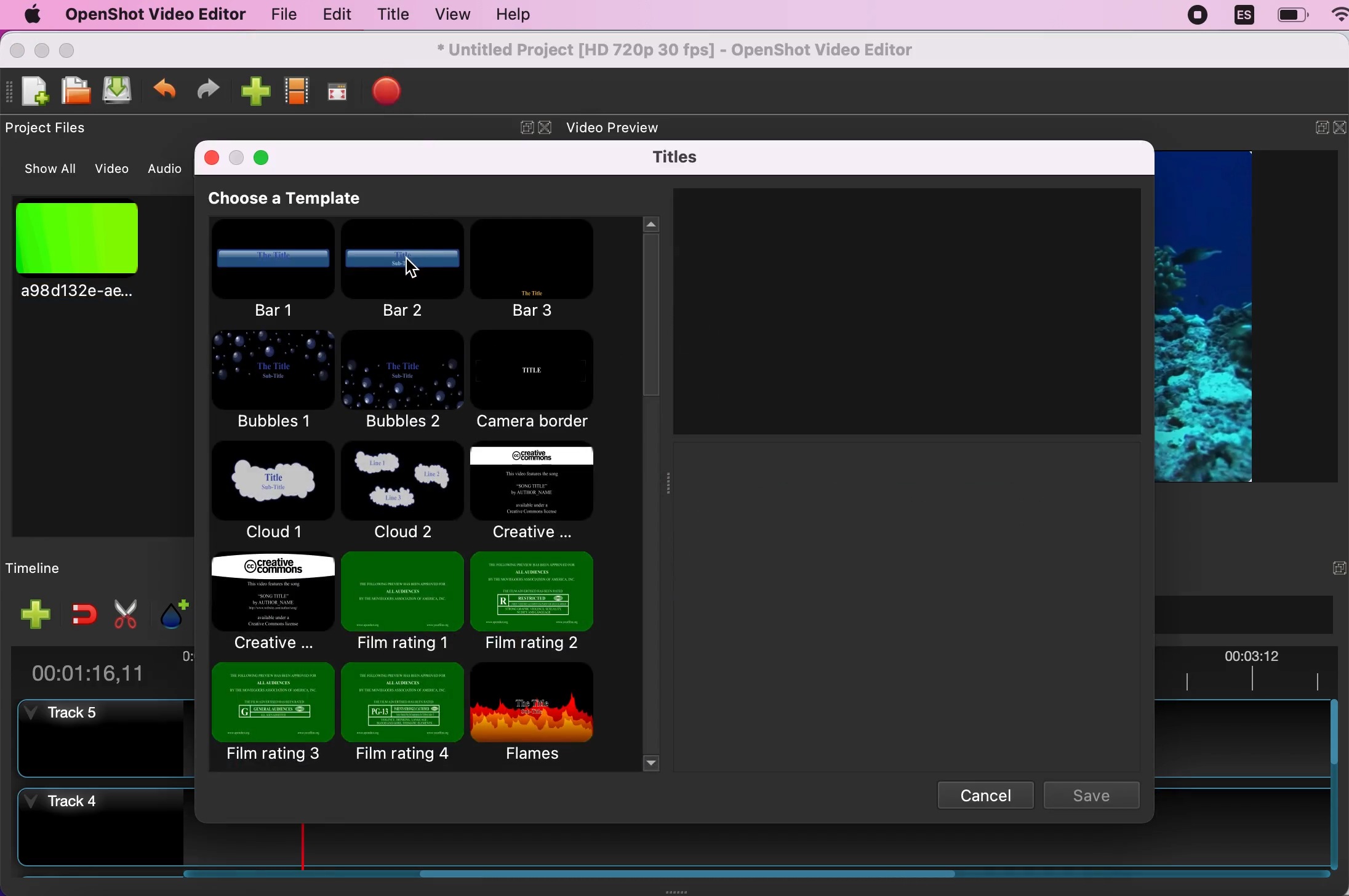 The width and height of the screenshot is (1349, 896). I want to click on video preview, so click(1217, 314).